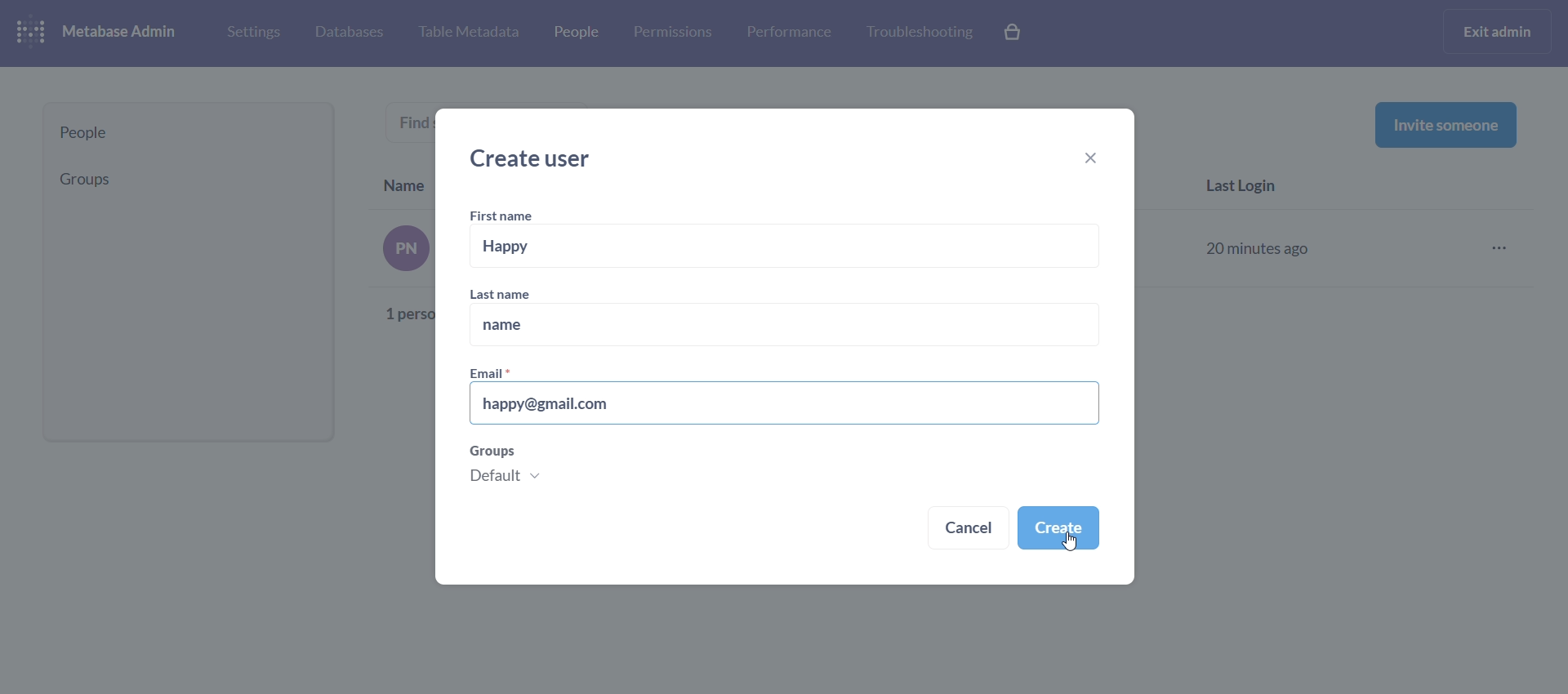 The height and width of the screenshot is (694, 1568). Describe the element at coordinates (126, 33) in the screenshot. I see `metabase admin` at that location.